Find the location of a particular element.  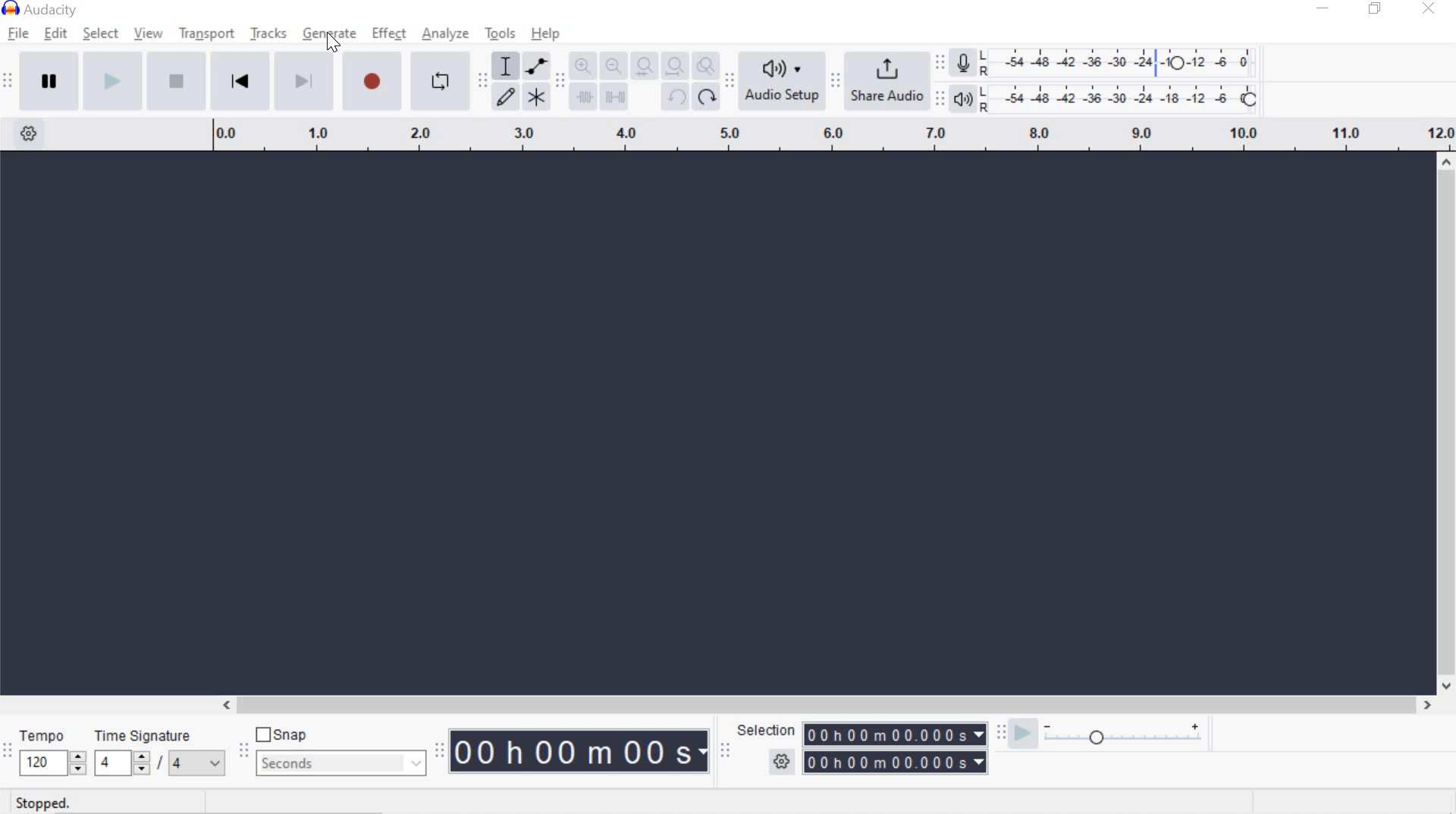

Edit toolbar is located at coordinates (558, 86).